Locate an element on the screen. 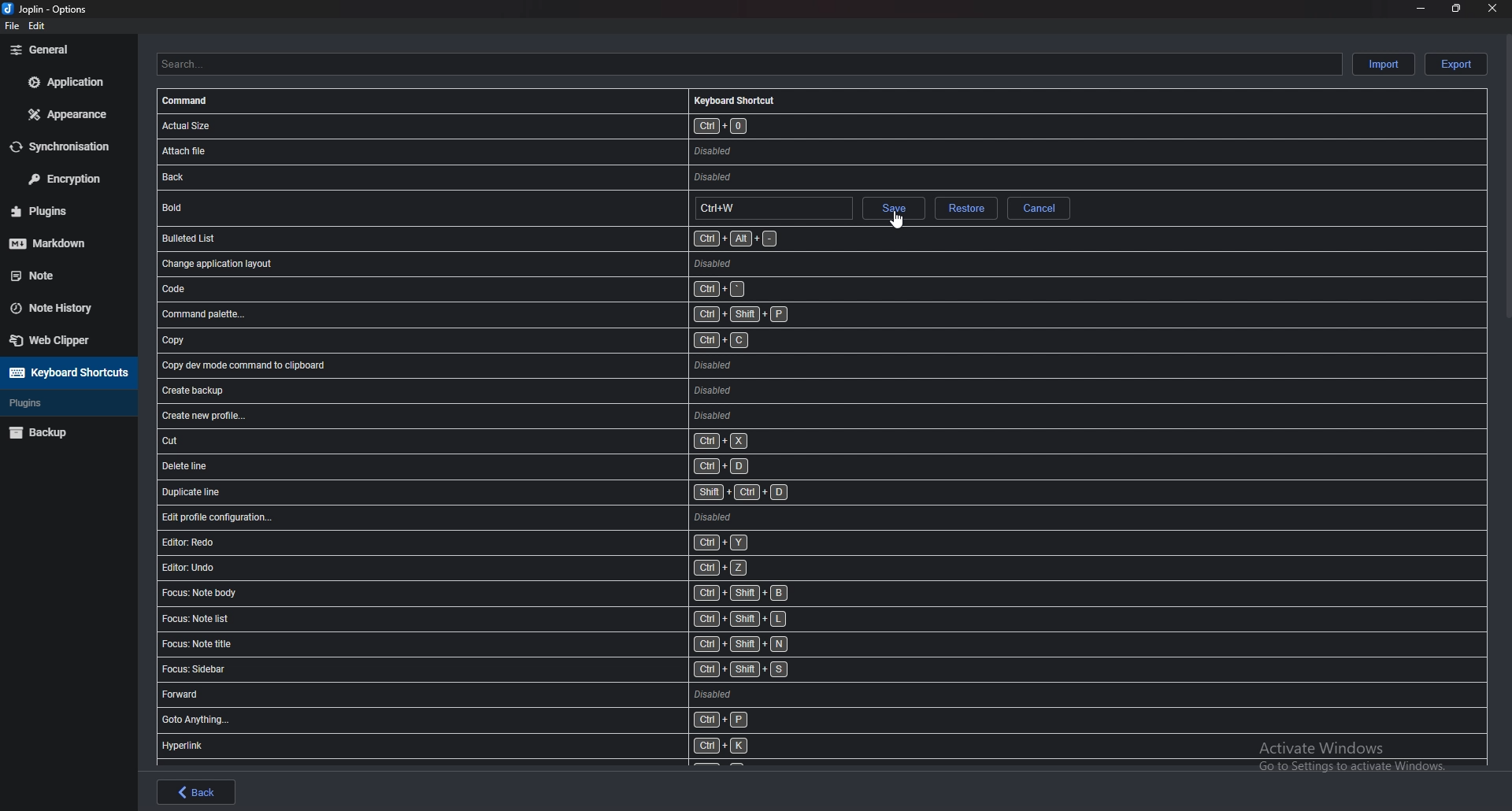  shortcut is located at coordinates (472, 153).